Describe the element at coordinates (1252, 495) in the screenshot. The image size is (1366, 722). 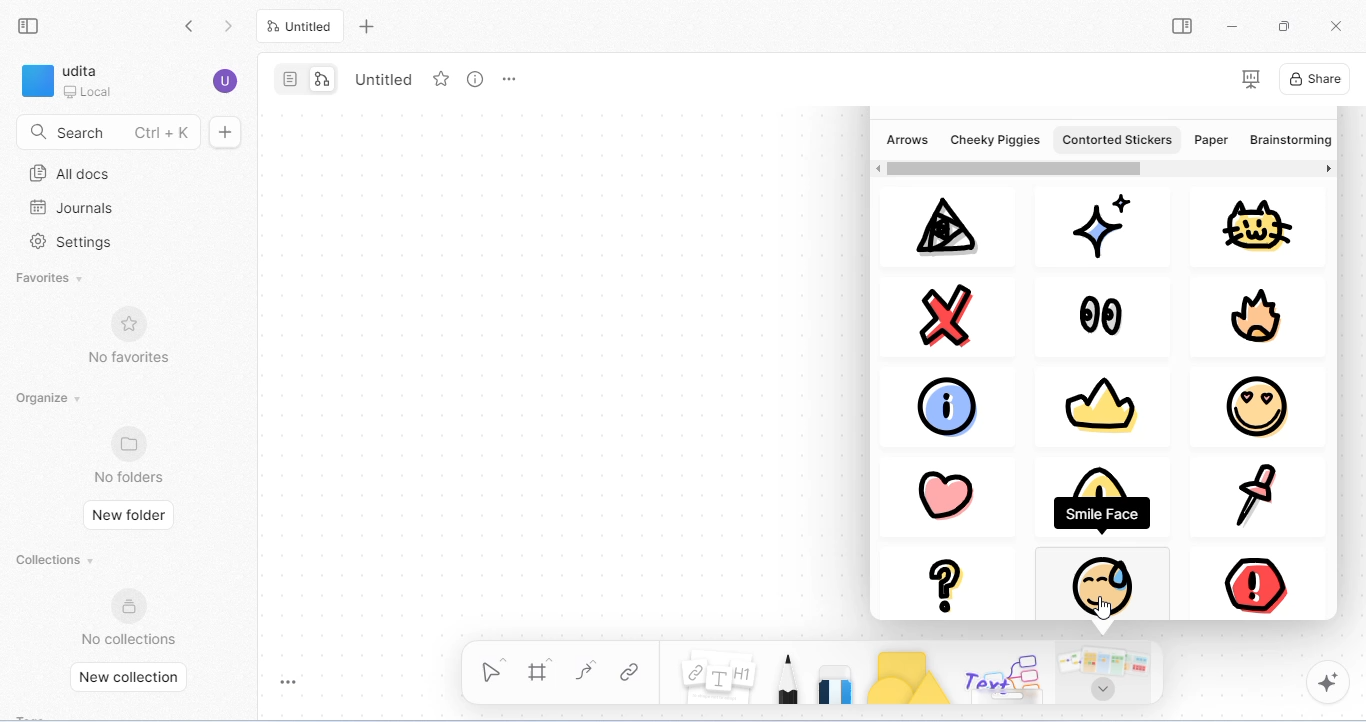
I see `pin` at that location.